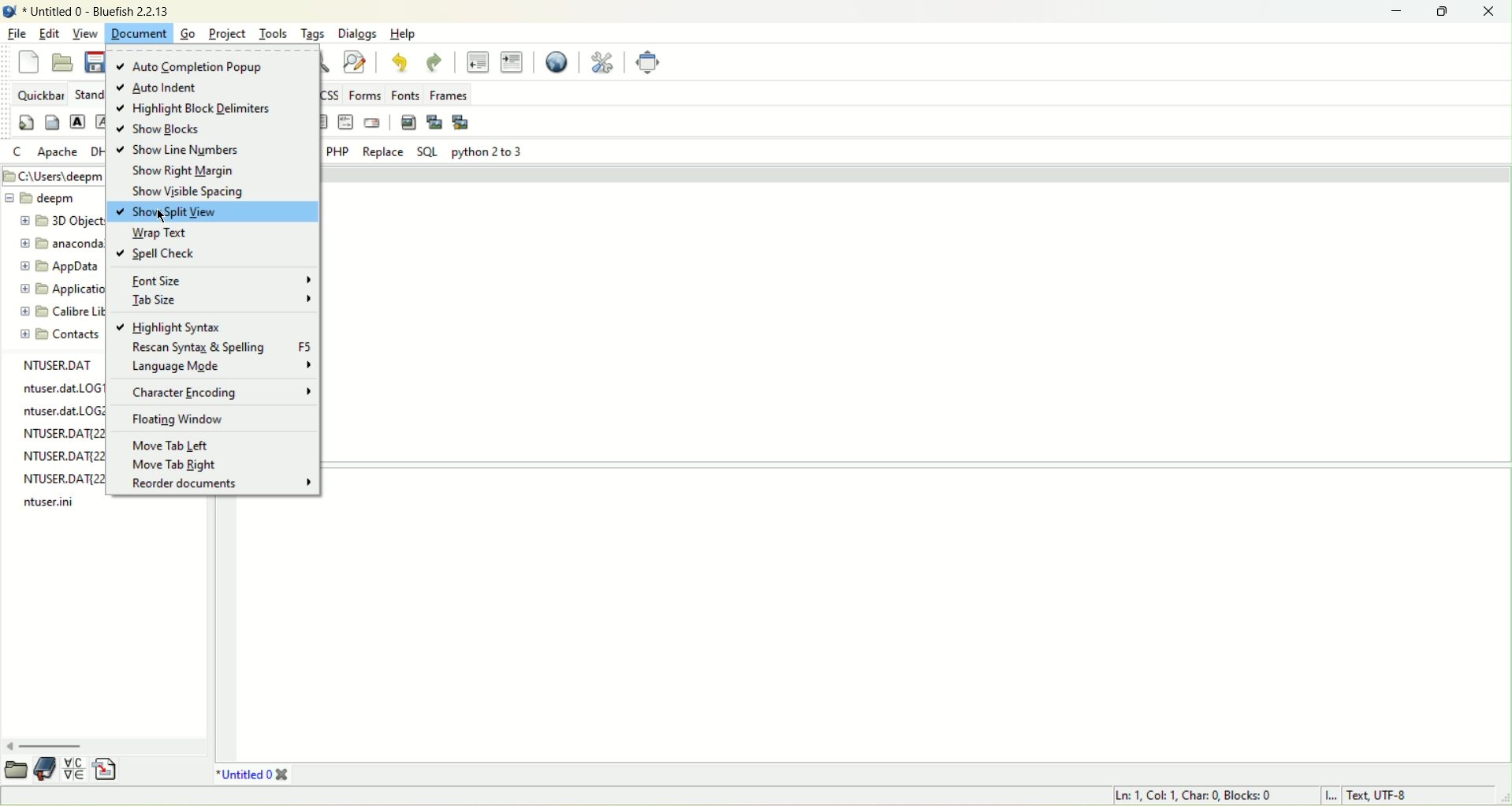 The width and height of the screenshot is (1512, 806). Describe the element at coordinates (77, 771) in the screenshot. I see `charmap` at that location.